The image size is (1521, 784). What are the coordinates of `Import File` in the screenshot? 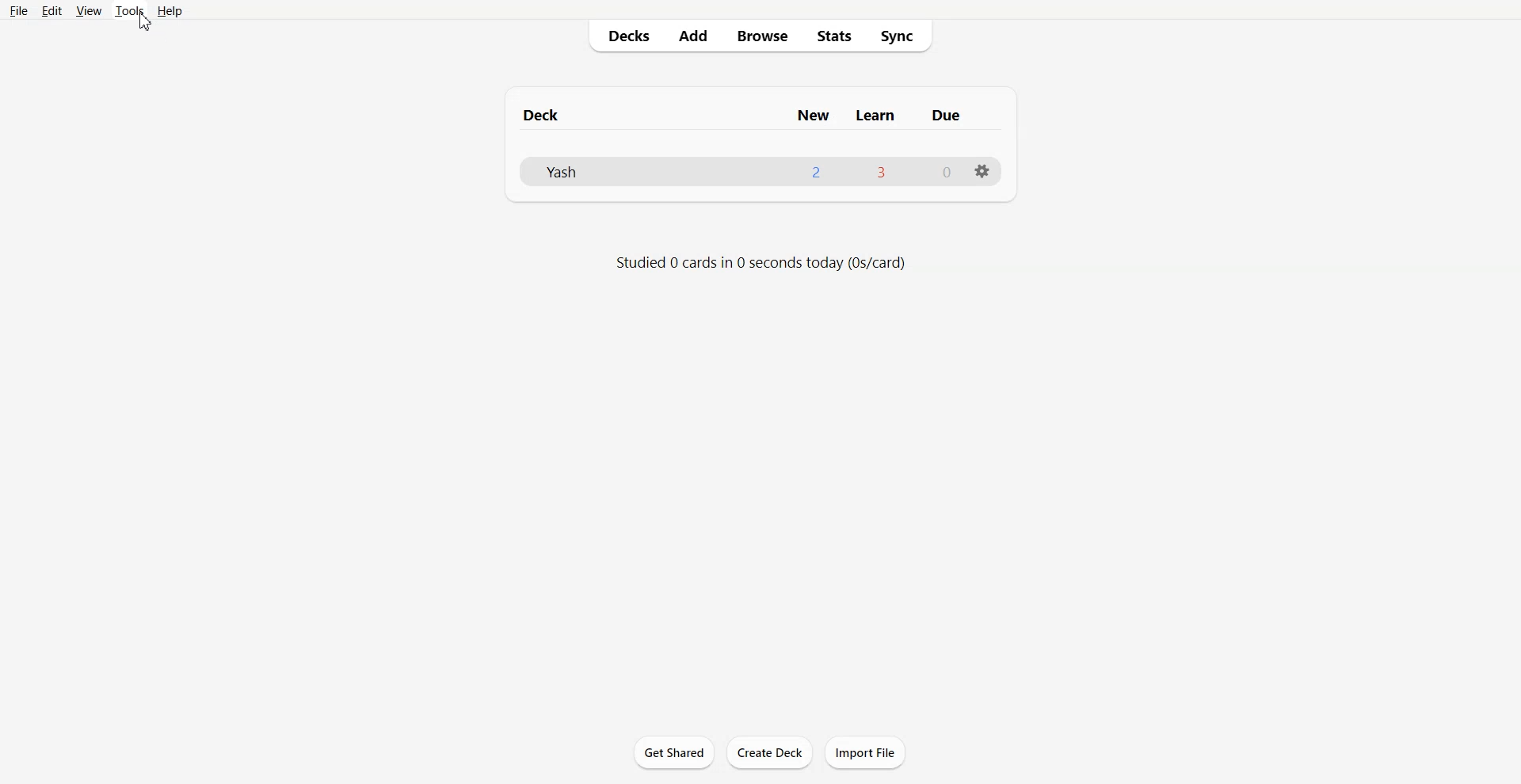 It's located at (866, 752).